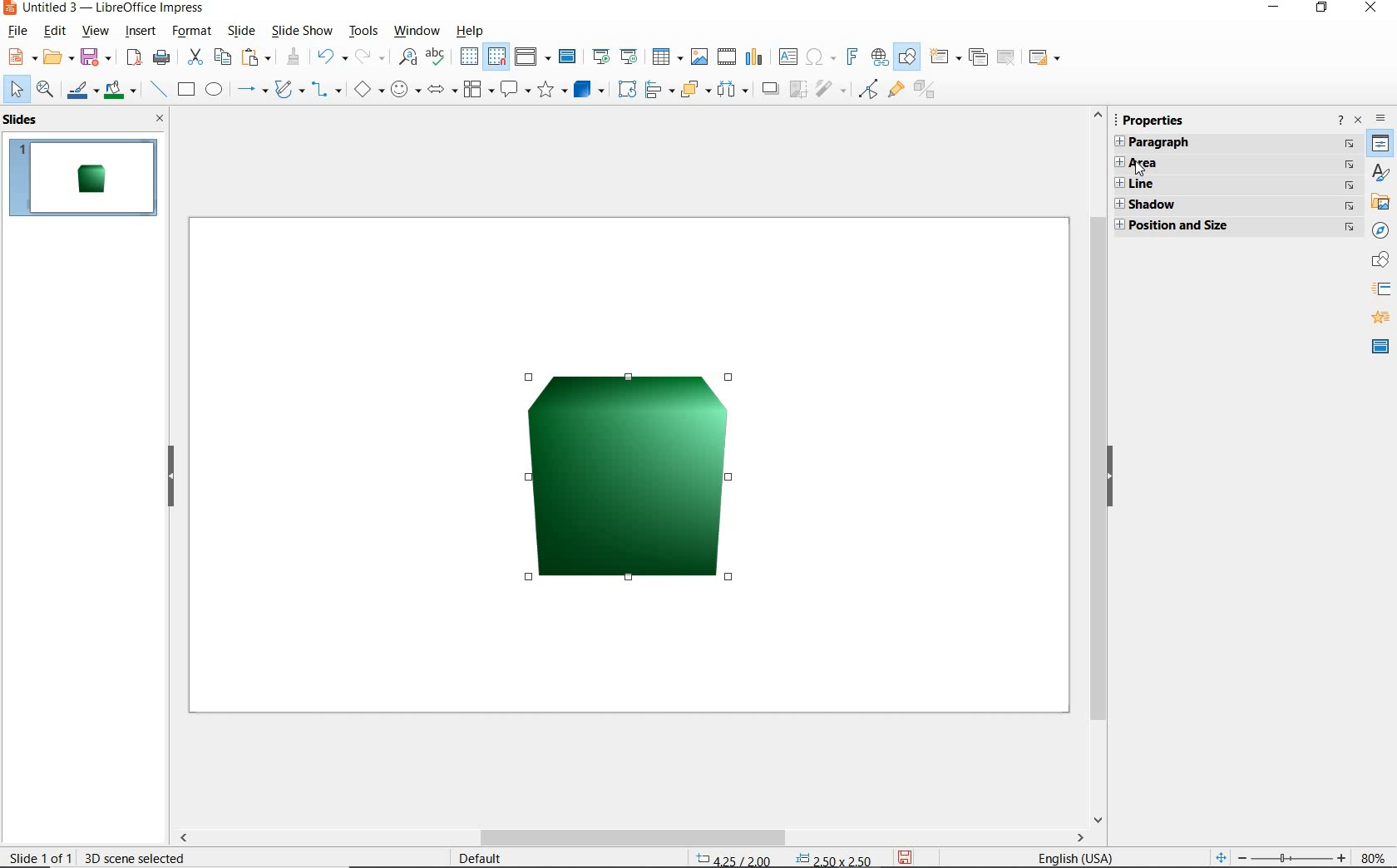 This screenshot has width=1397, height=868. I want to click on insert chart, so click(753, 57).